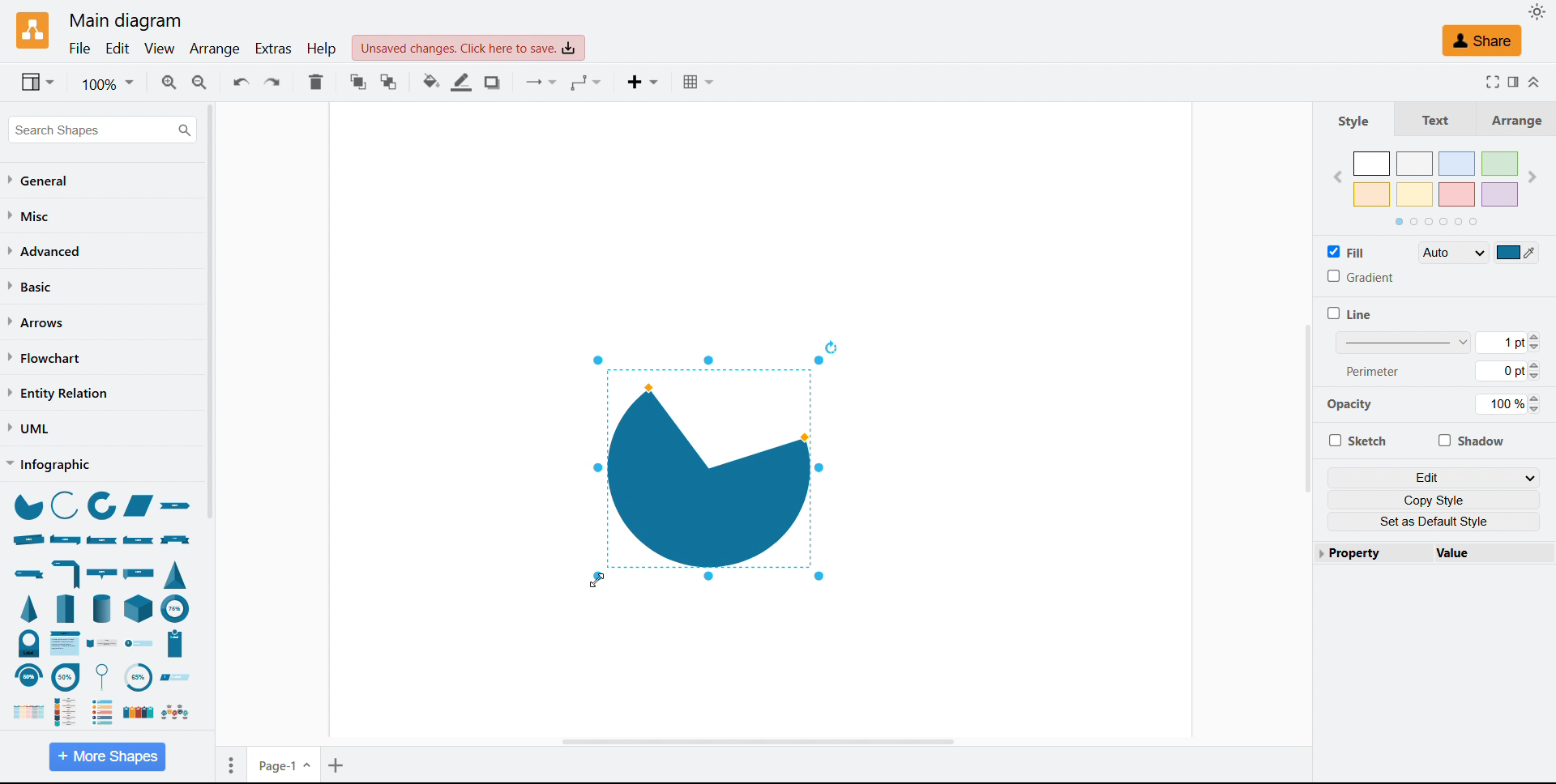 This screenshot has height=784, width=1556. I want to click on Connectors , so click(544, 83).